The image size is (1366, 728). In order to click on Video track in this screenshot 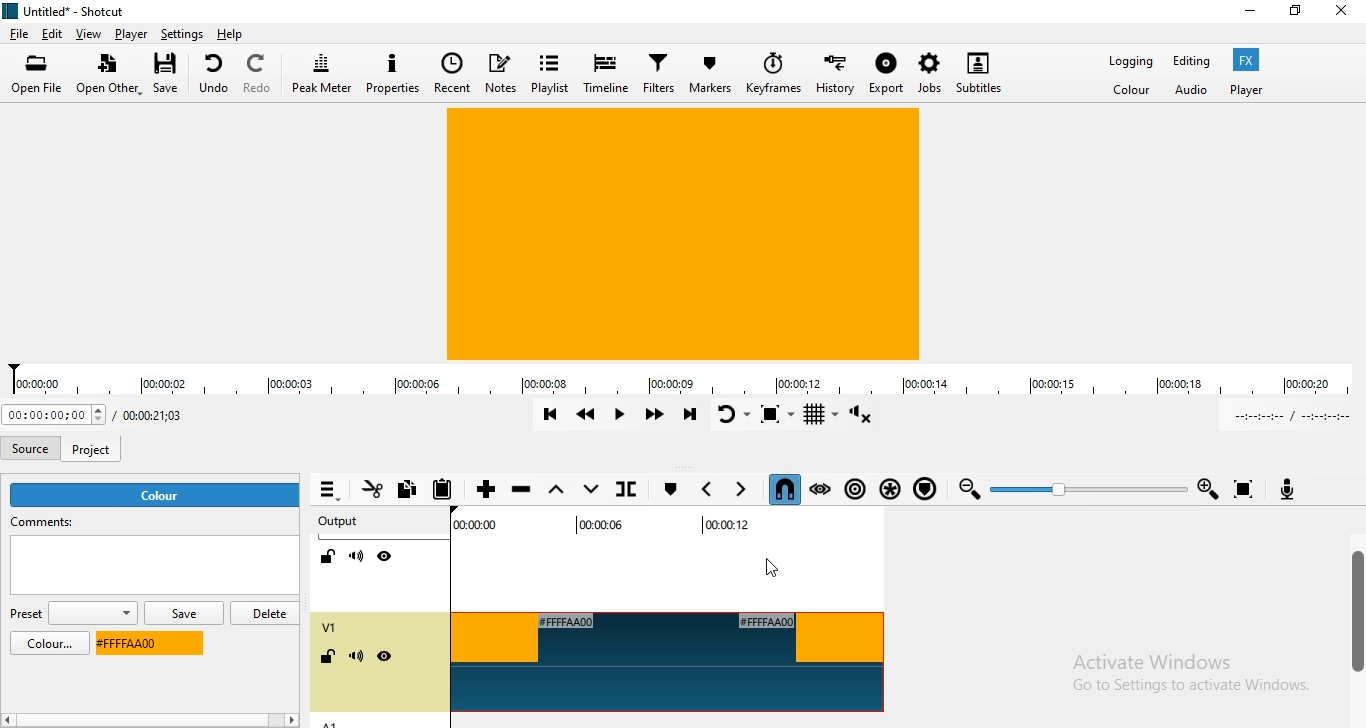, I will do `click(661, 564)`.